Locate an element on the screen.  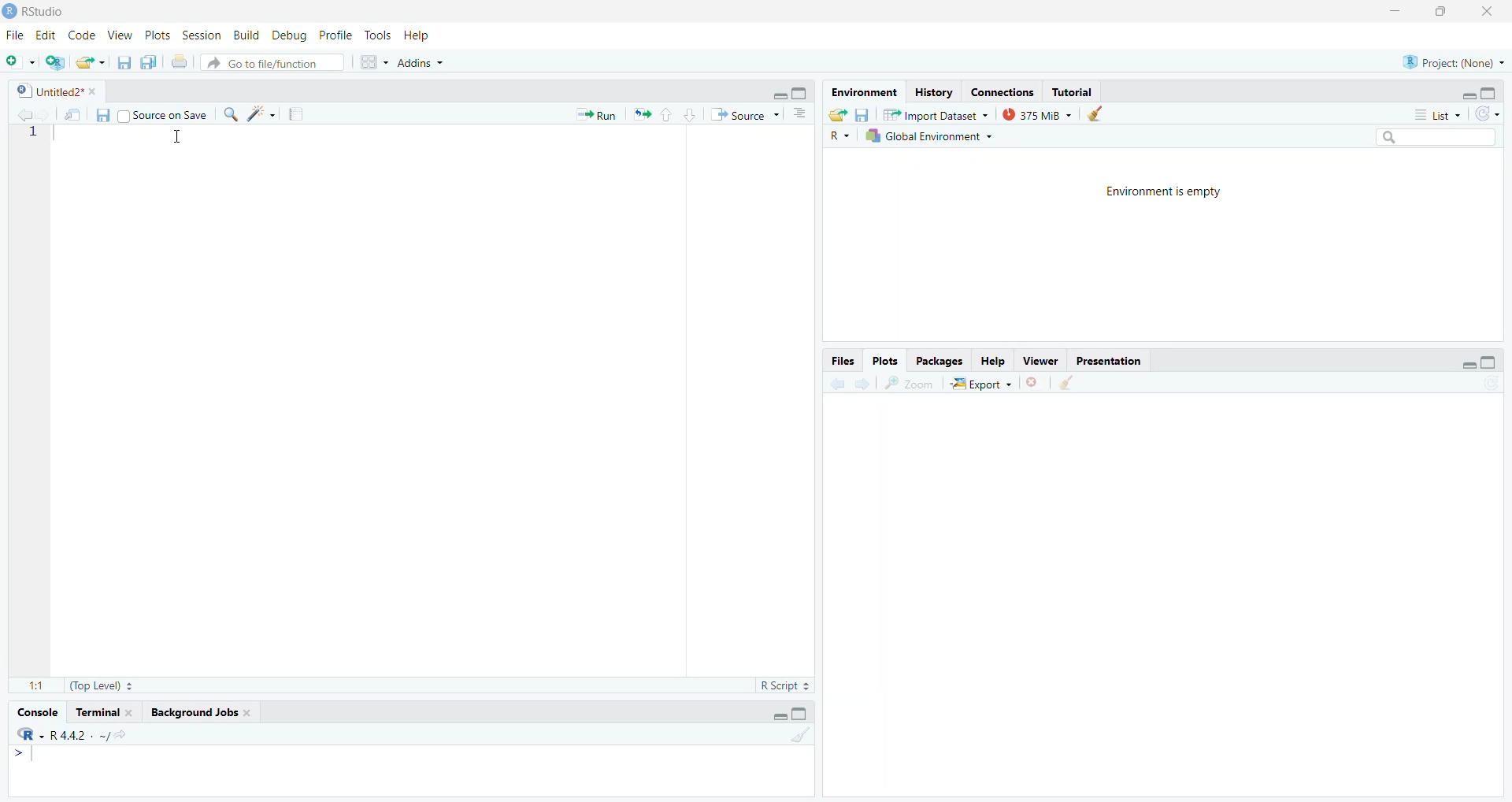
workspace pane is located at coordinates (375, 60).